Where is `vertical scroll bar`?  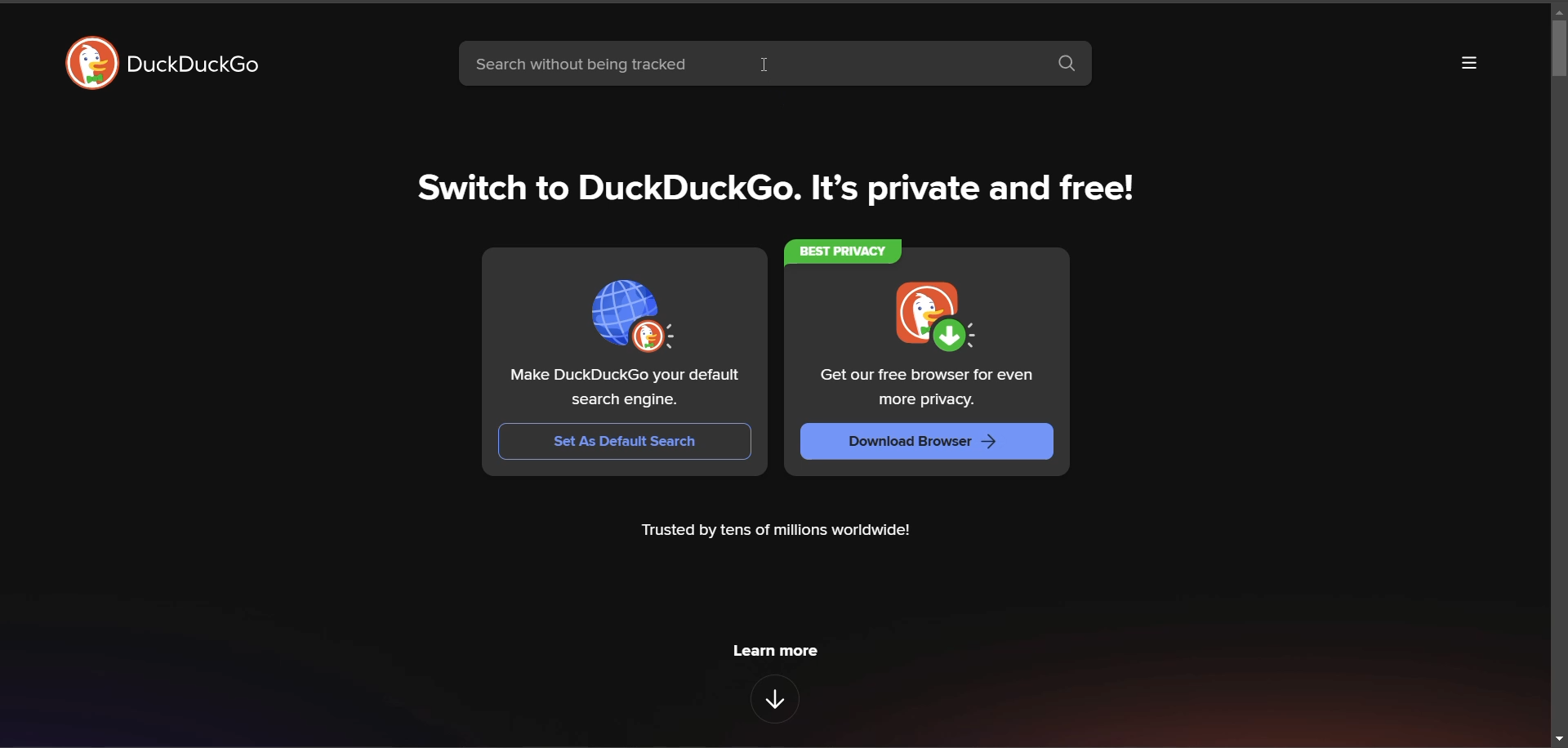 vertical scroll bar is located at coordinates (1544, 57).